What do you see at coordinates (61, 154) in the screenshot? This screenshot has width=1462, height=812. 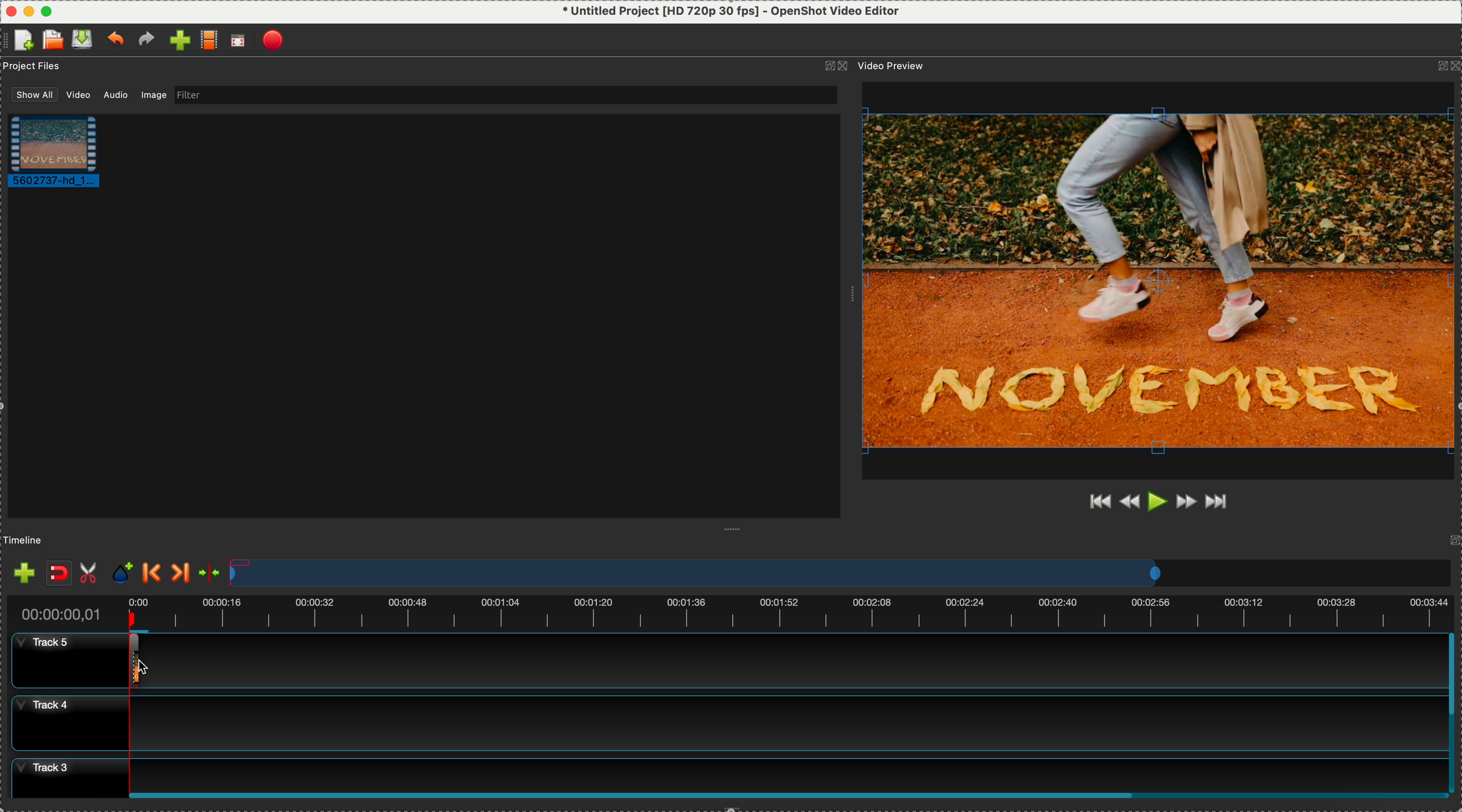 I see `video` at bounding box center [61, 154].